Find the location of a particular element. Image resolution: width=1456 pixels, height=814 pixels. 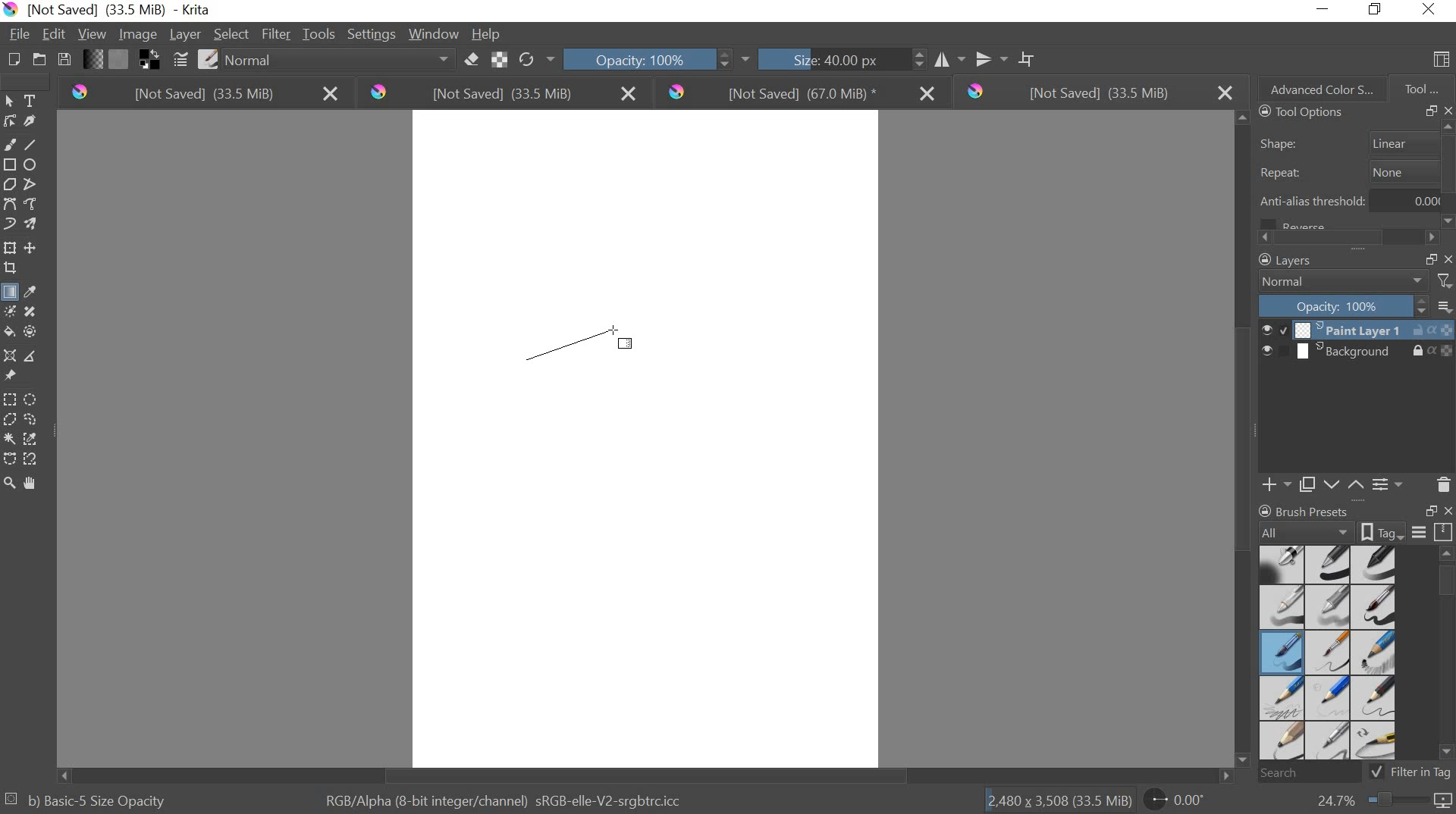

SCROLLBAR is located at coordinates (1353, 238).